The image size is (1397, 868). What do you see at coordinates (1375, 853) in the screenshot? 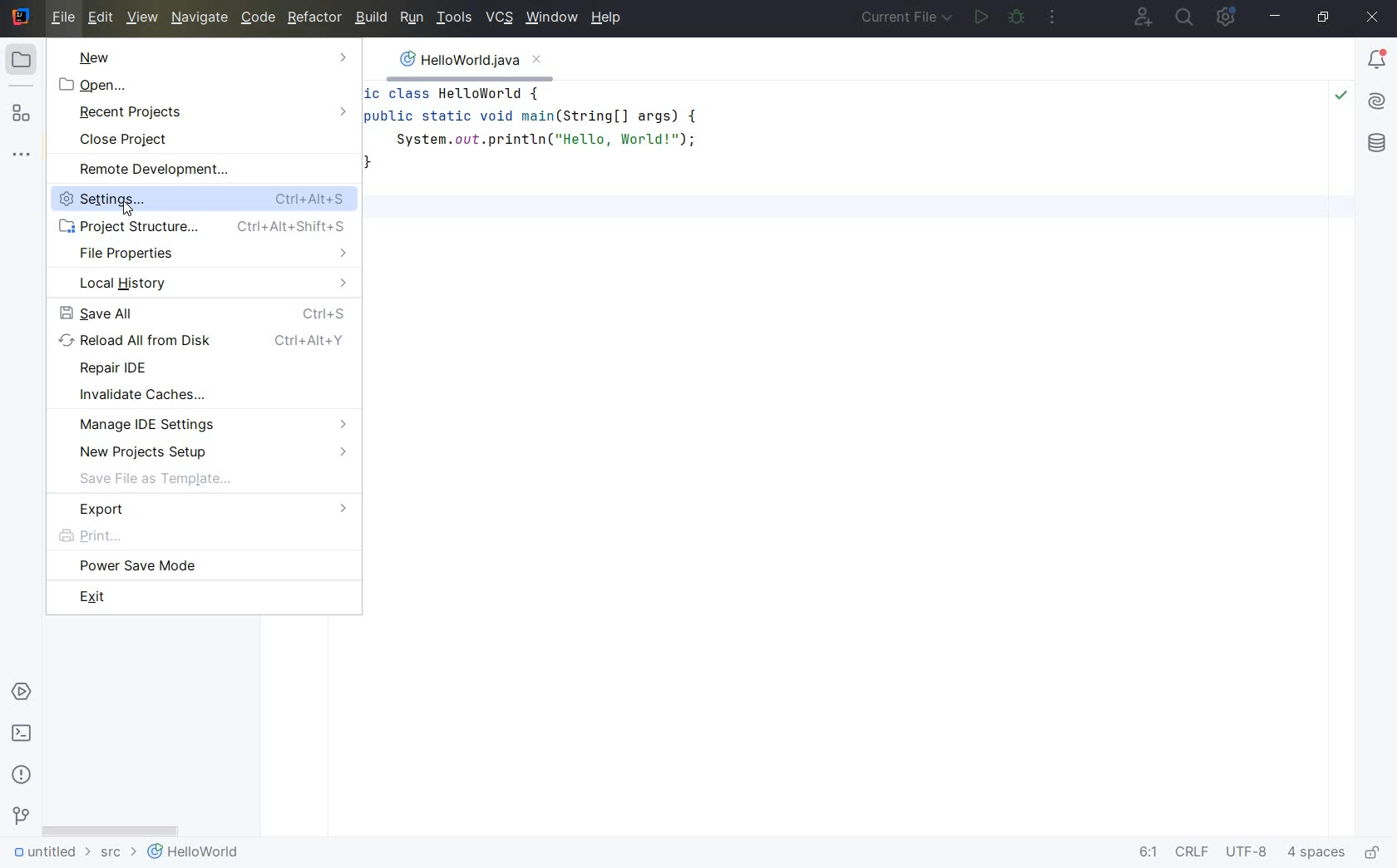
I see `make file ready only` at bounding box center [1375, 853].